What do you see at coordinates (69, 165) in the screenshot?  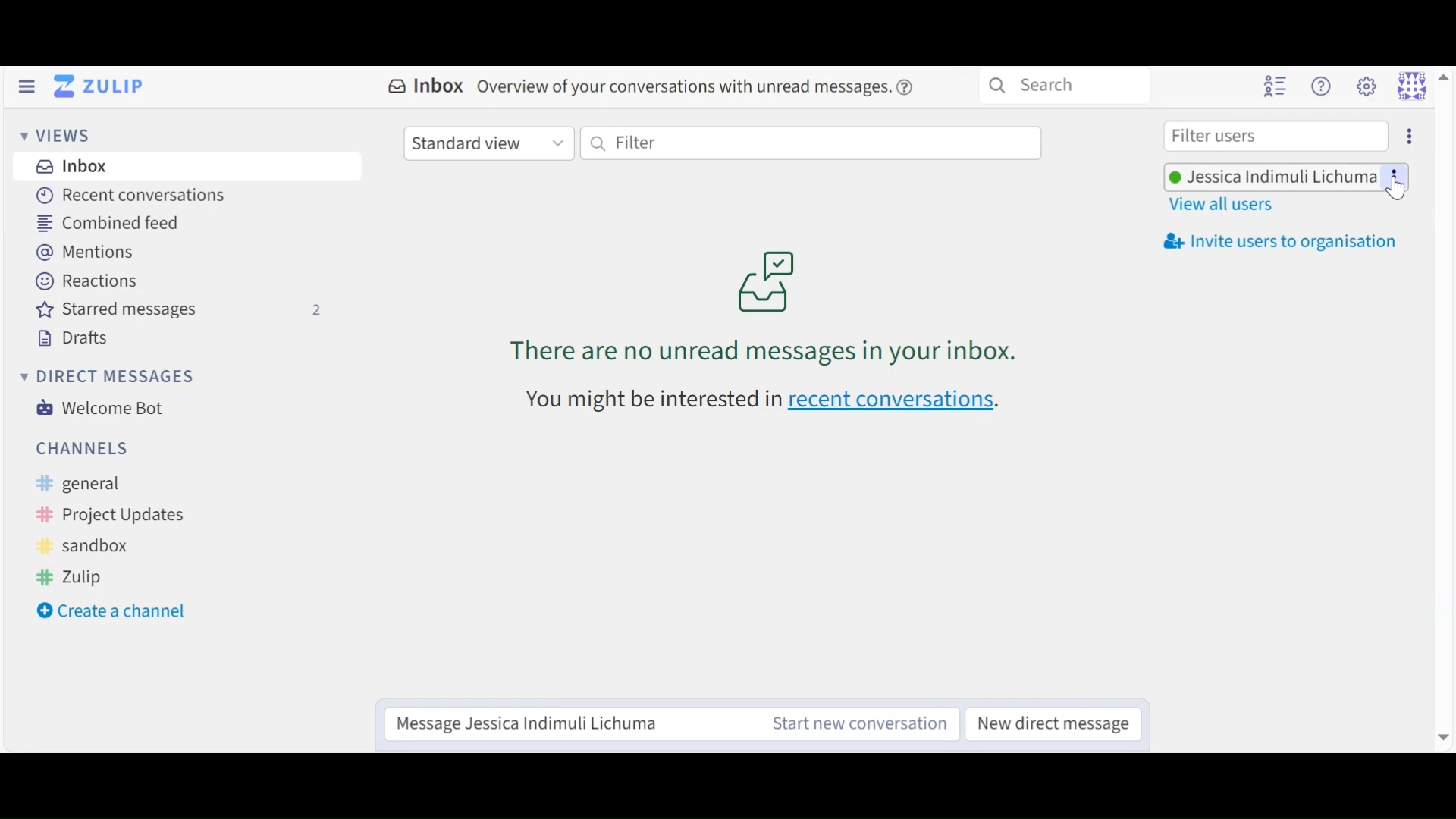 I see `Inbox` at bounding box center [69, 165].